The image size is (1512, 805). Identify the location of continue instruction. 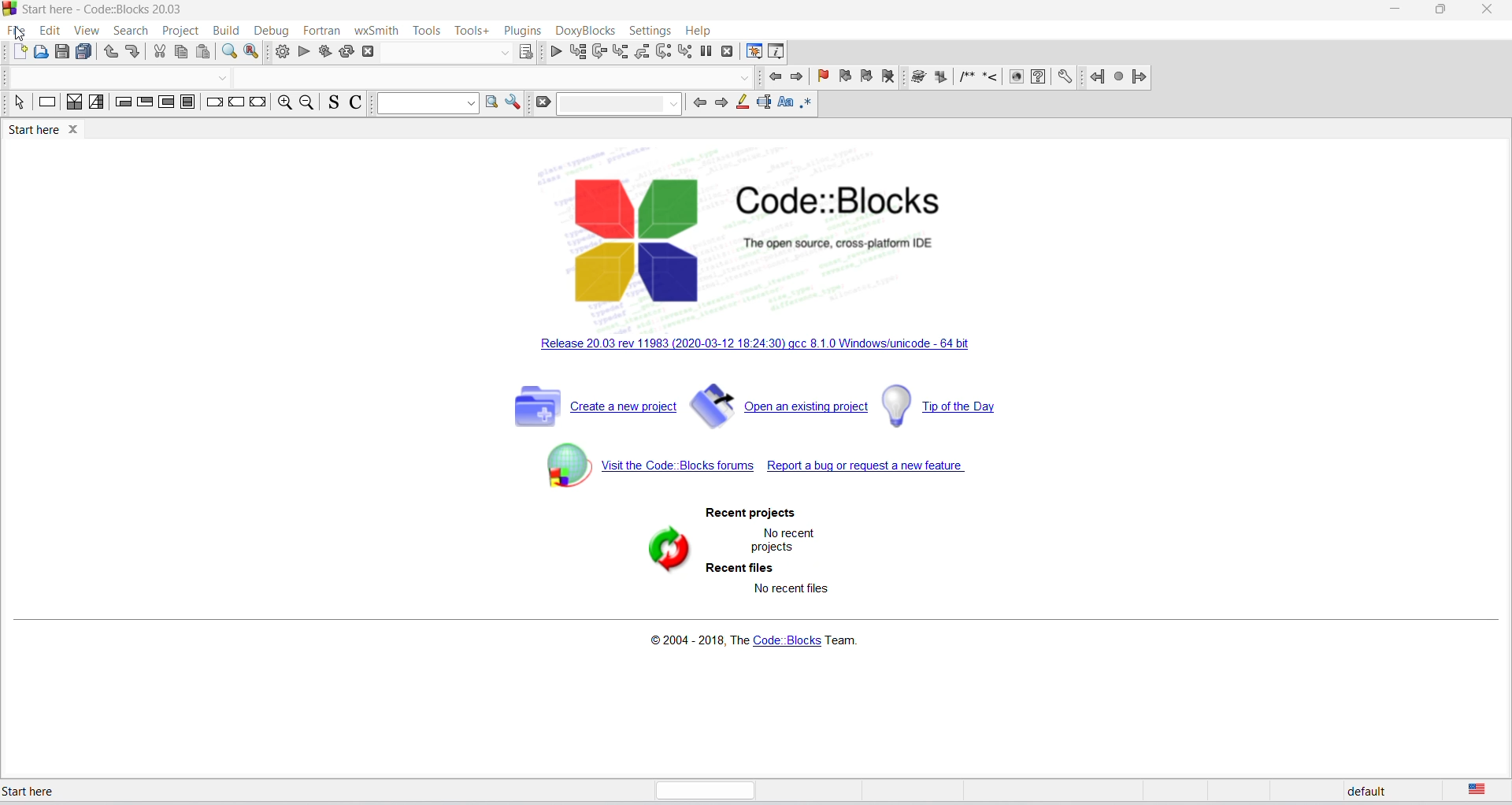
(235, 105).